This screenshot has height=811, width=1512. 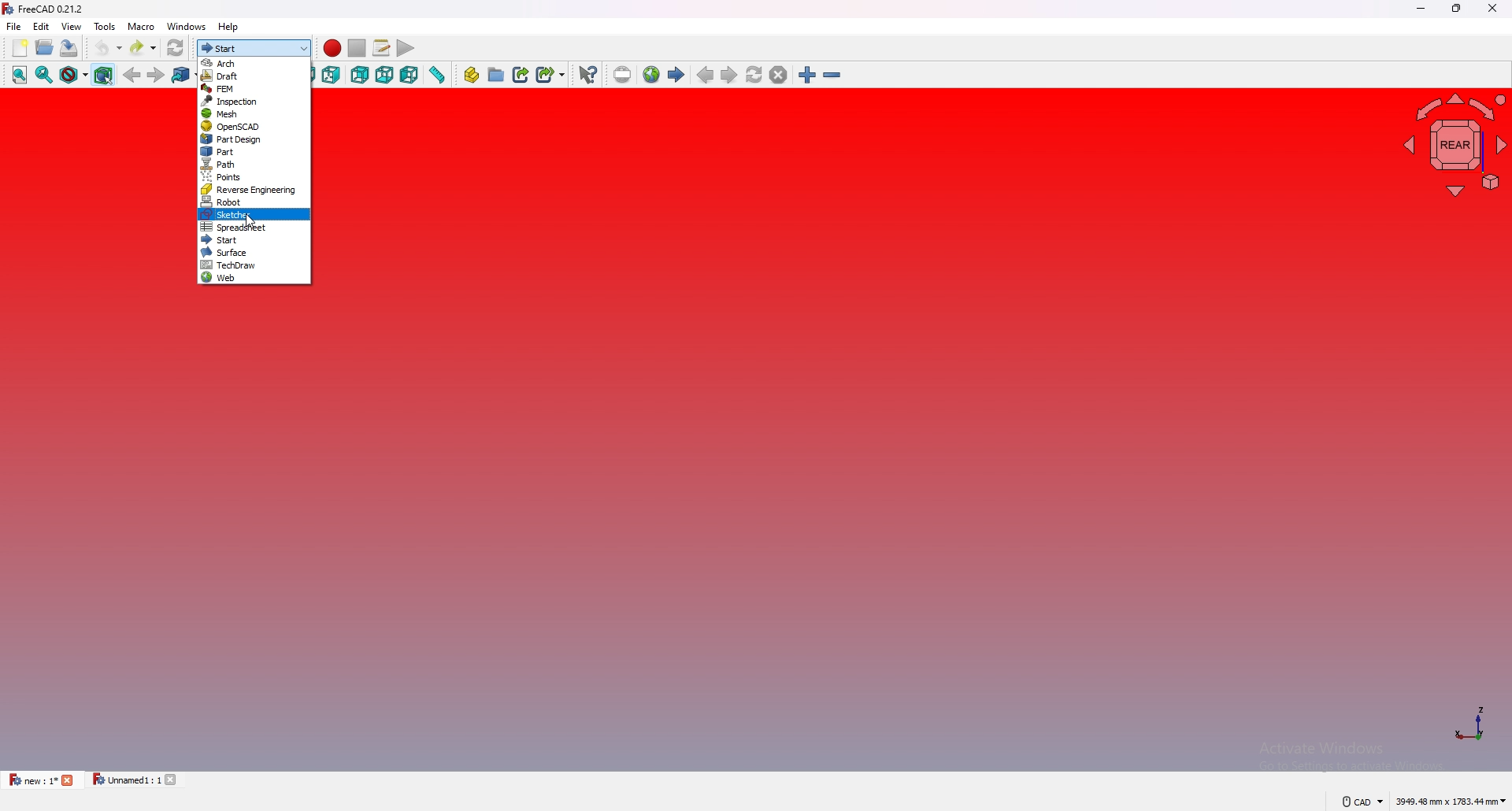 I want to click on windows, so click(x=187, y=26).